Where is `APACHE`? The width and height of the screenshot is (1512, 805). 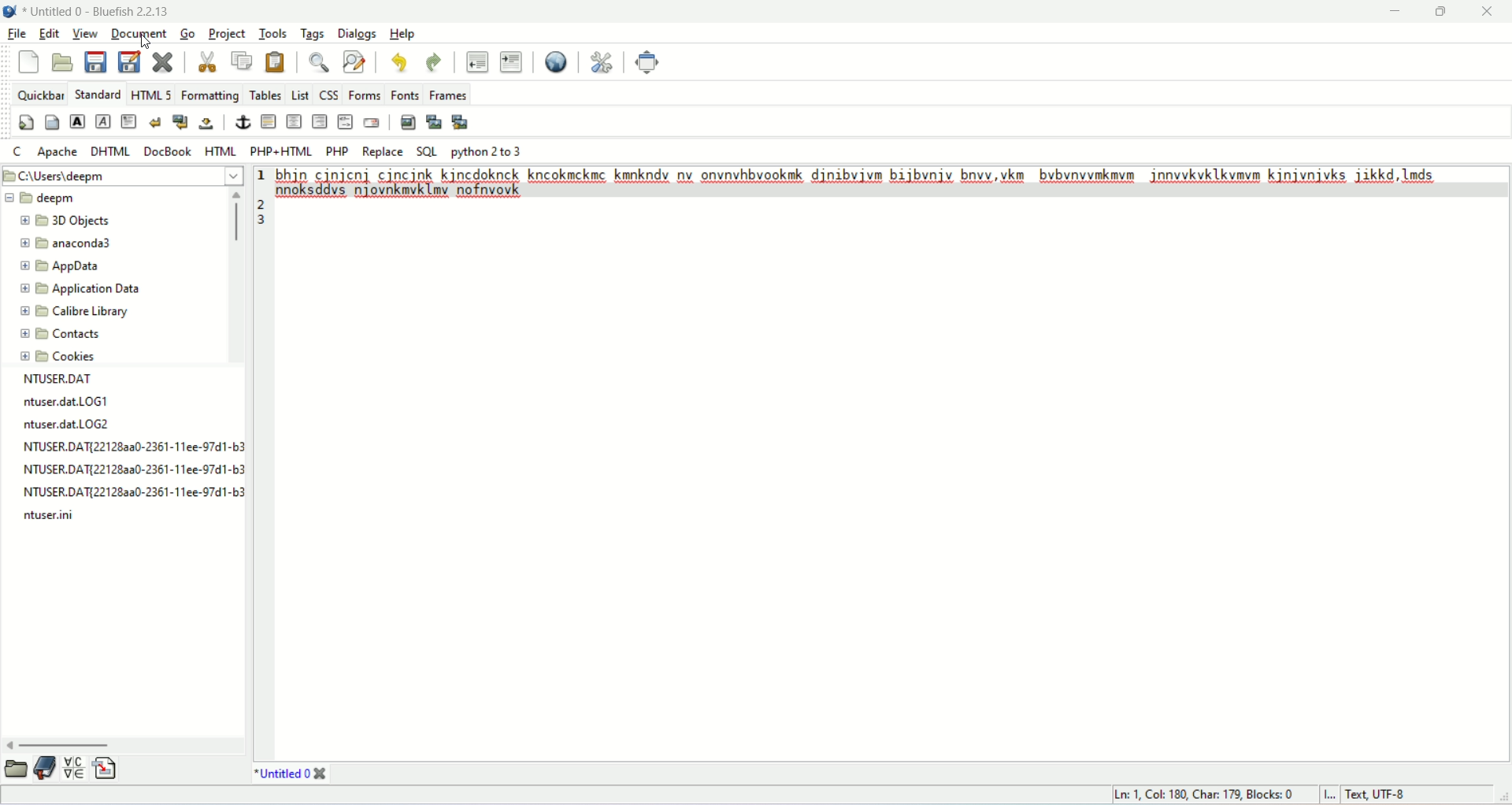 APACHE is located at coordinates (58, 153).